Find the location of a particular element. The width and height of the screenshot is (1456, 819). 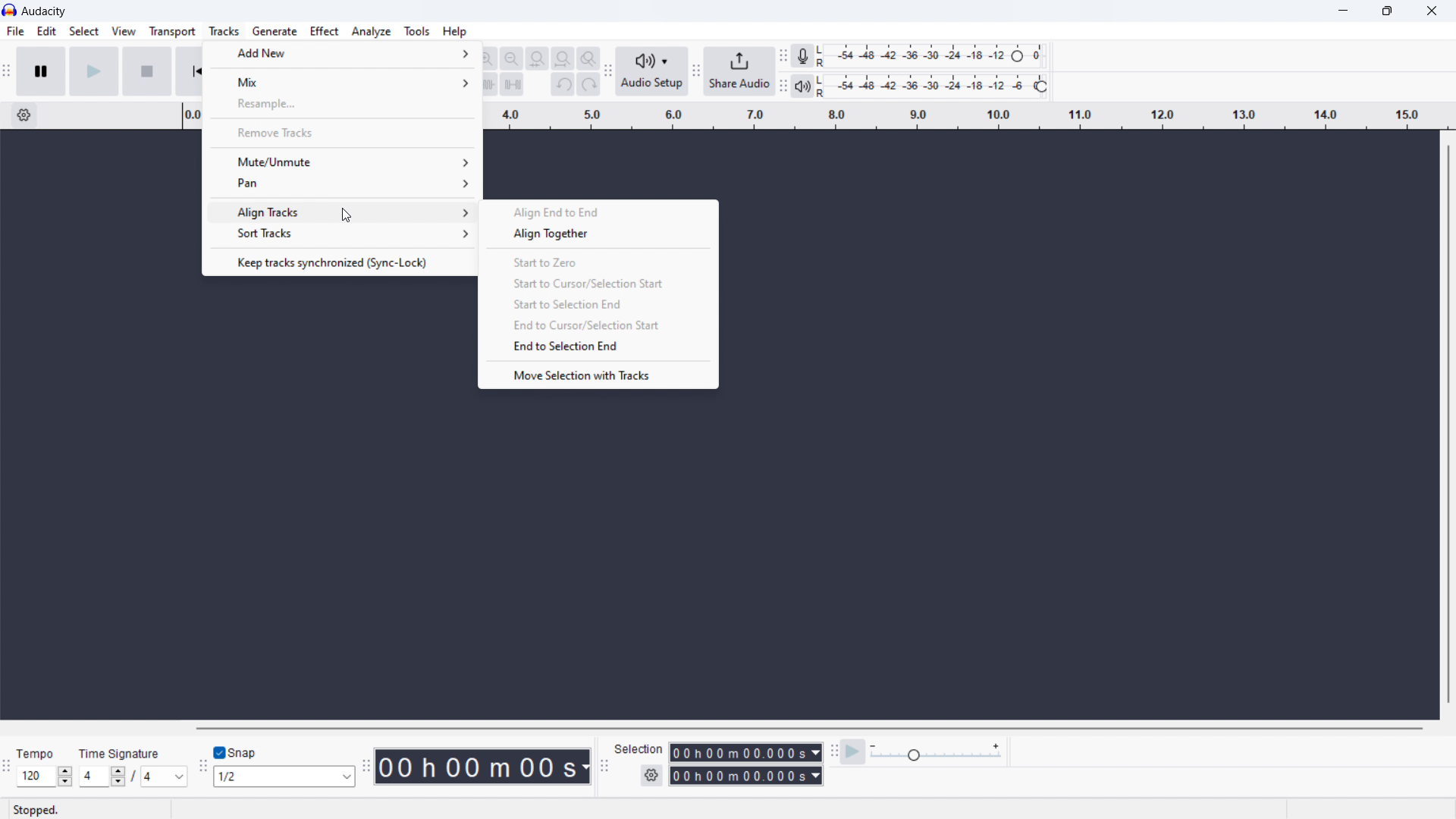

maximize is located at coordinates (1388, 11).